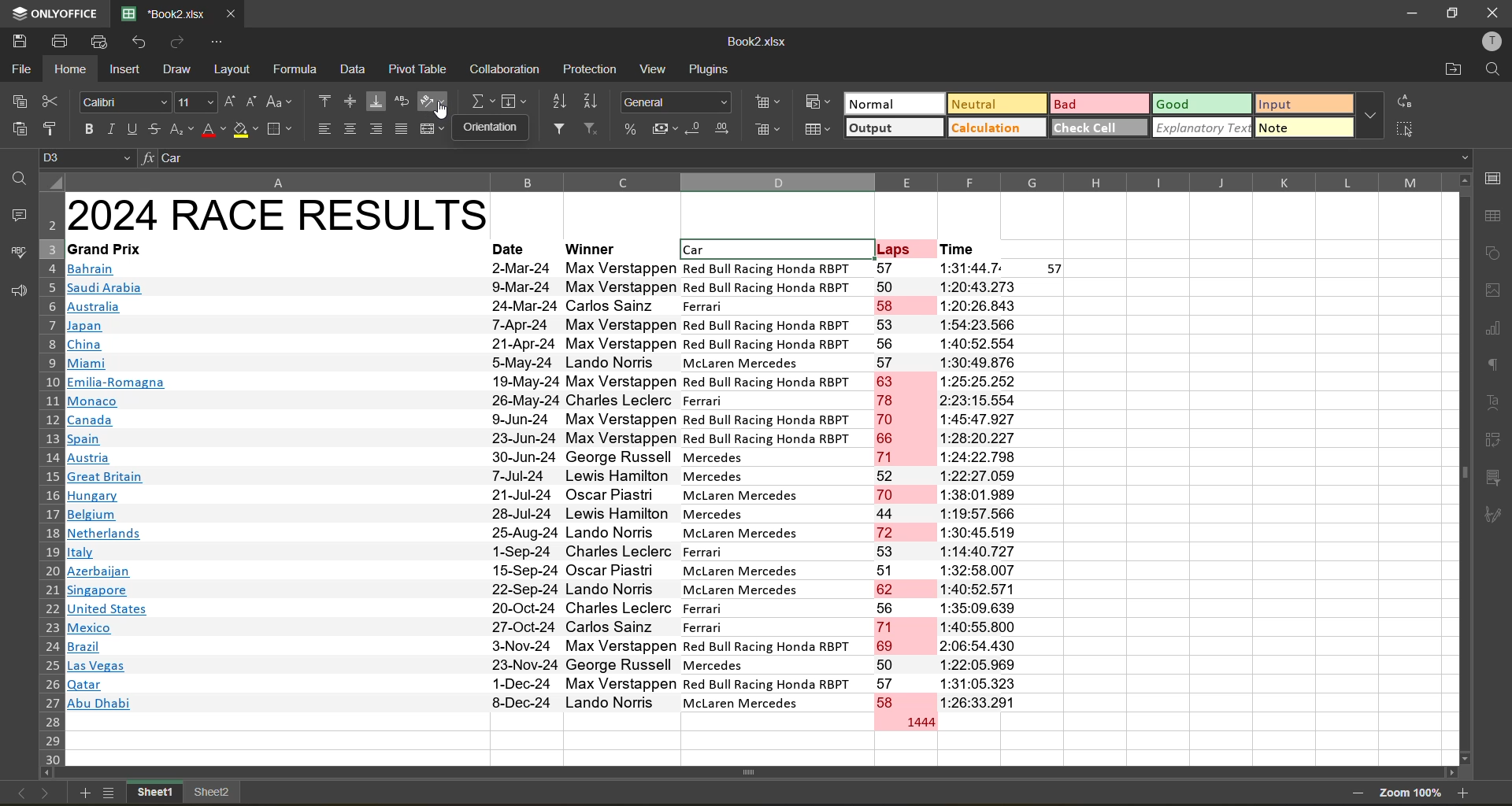 This screenshot has height=806, width=1512. What do you see at coordinates (754, 181) in the screenshot?
I see `column names` at bounding box center [754, 181].